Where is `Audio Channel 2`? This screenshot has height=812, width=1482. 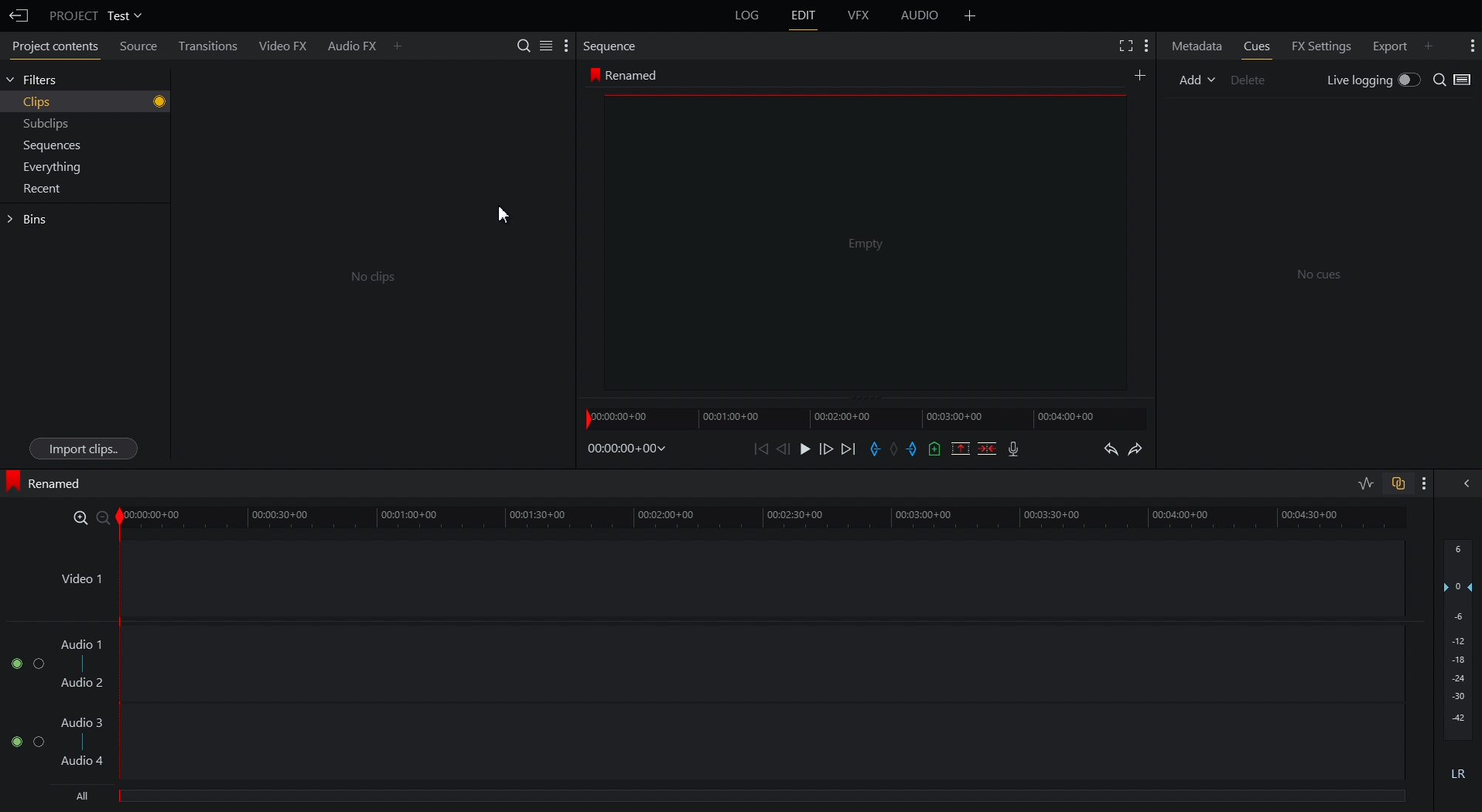 Audio Channel 2 is located at coordinates (22, 738).